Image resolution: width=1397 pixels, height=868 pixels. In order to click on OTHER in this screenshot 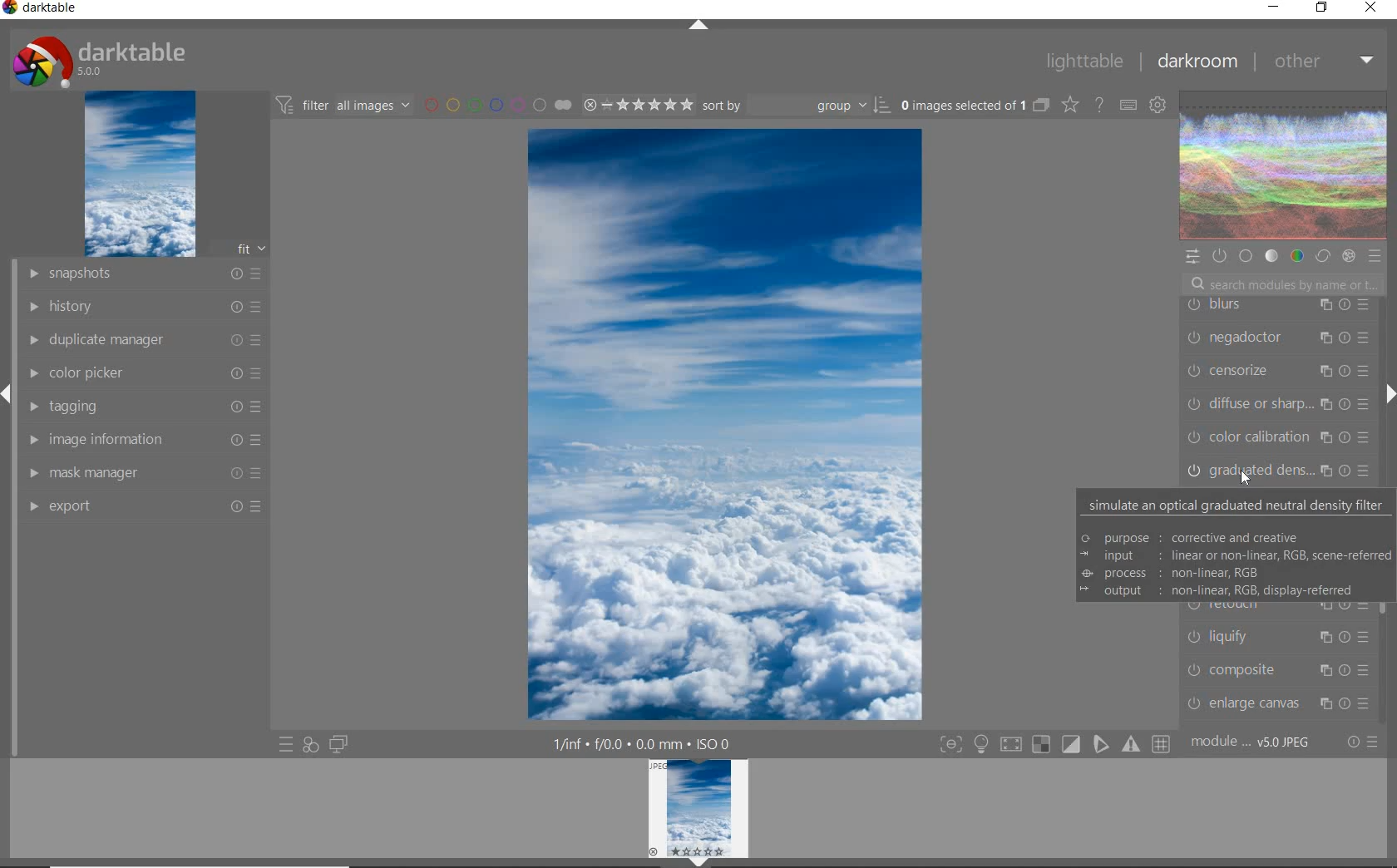, I will do `click(1321, 63)`.